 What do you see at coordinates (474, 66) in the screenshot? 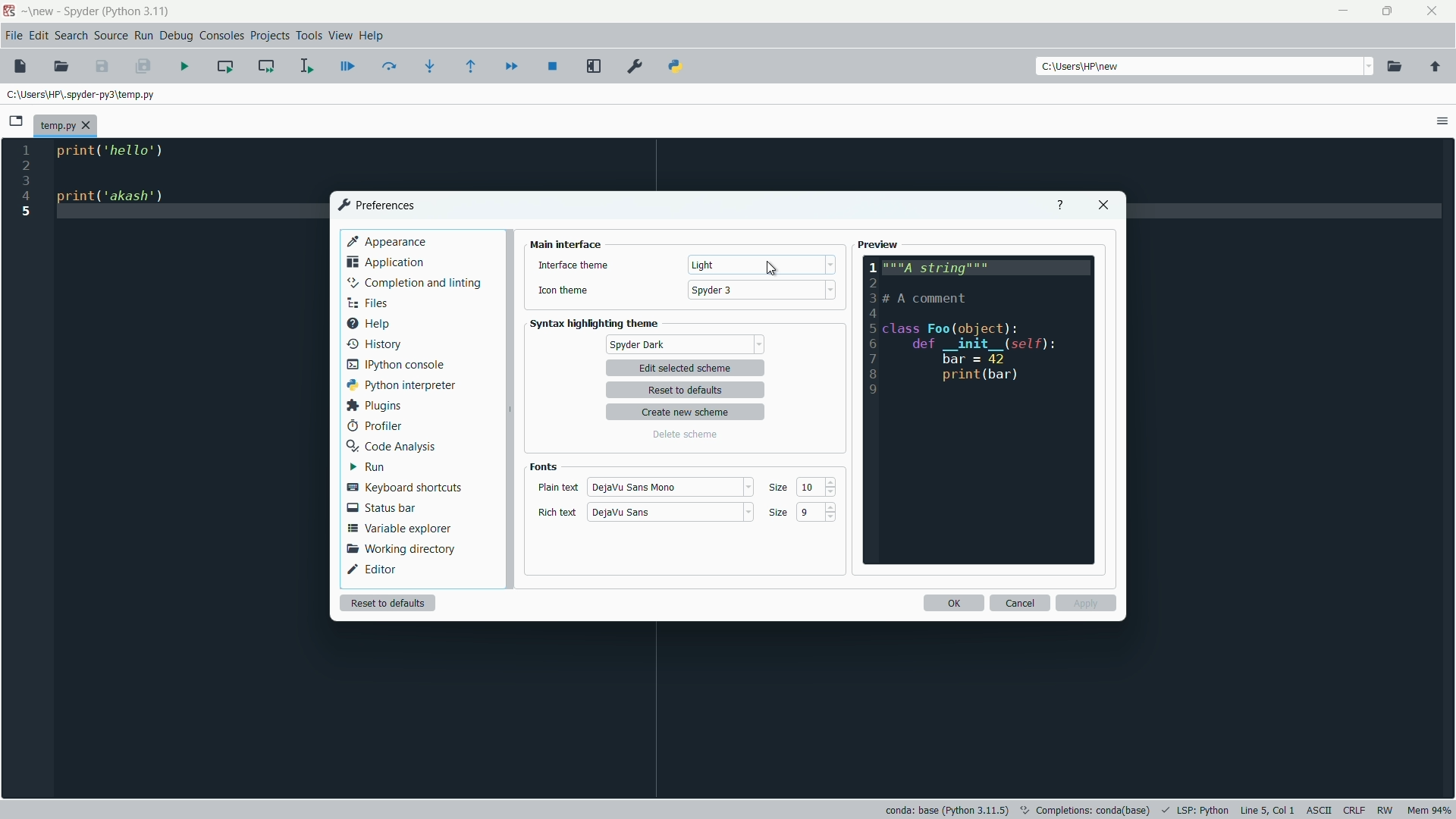
I see `continue execution until next function` at bounding box center [474, 66].